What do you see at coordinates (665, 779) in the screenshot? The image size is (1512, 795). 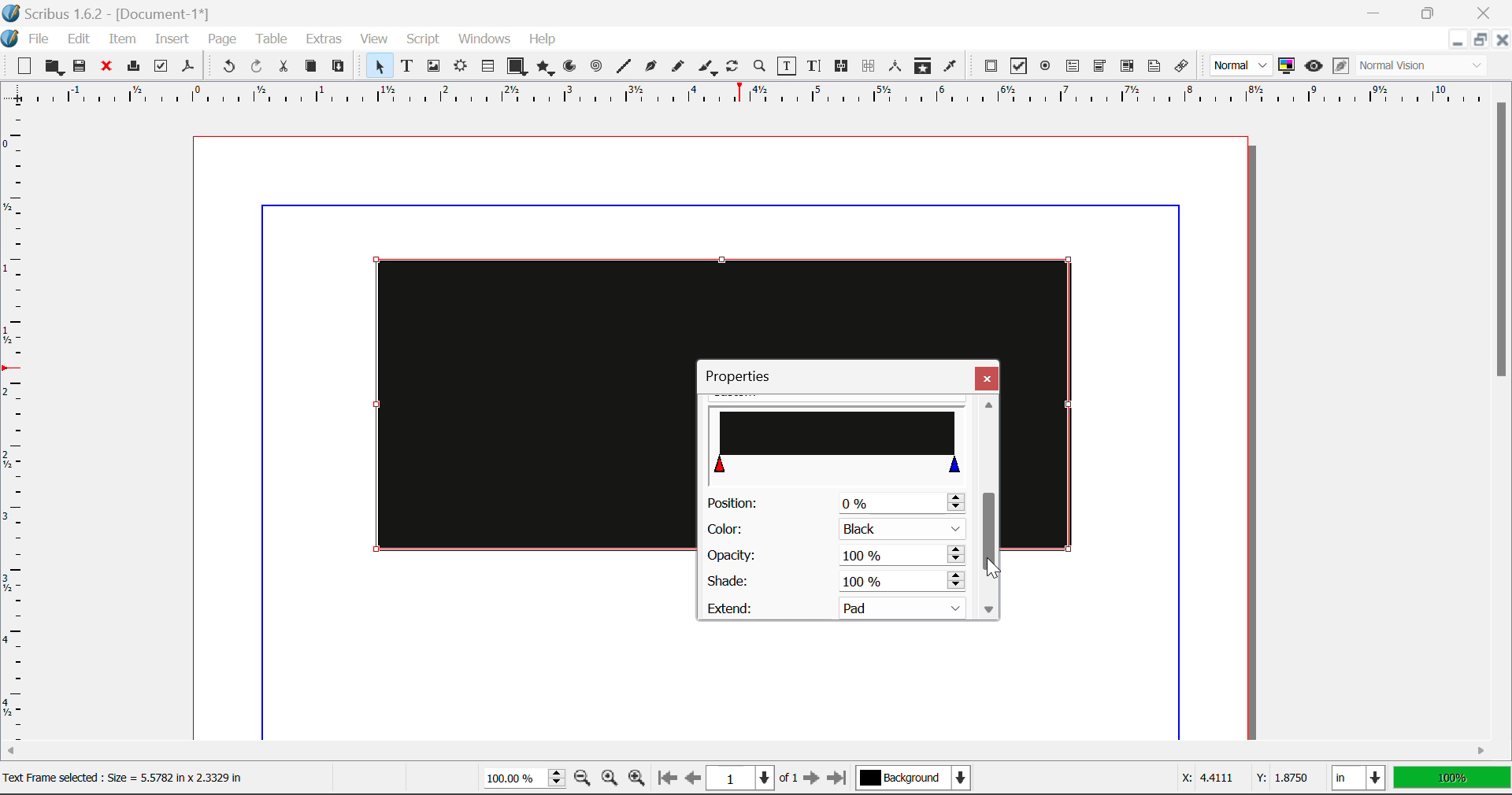 I see `First Page` at bounding box center [665, 779].